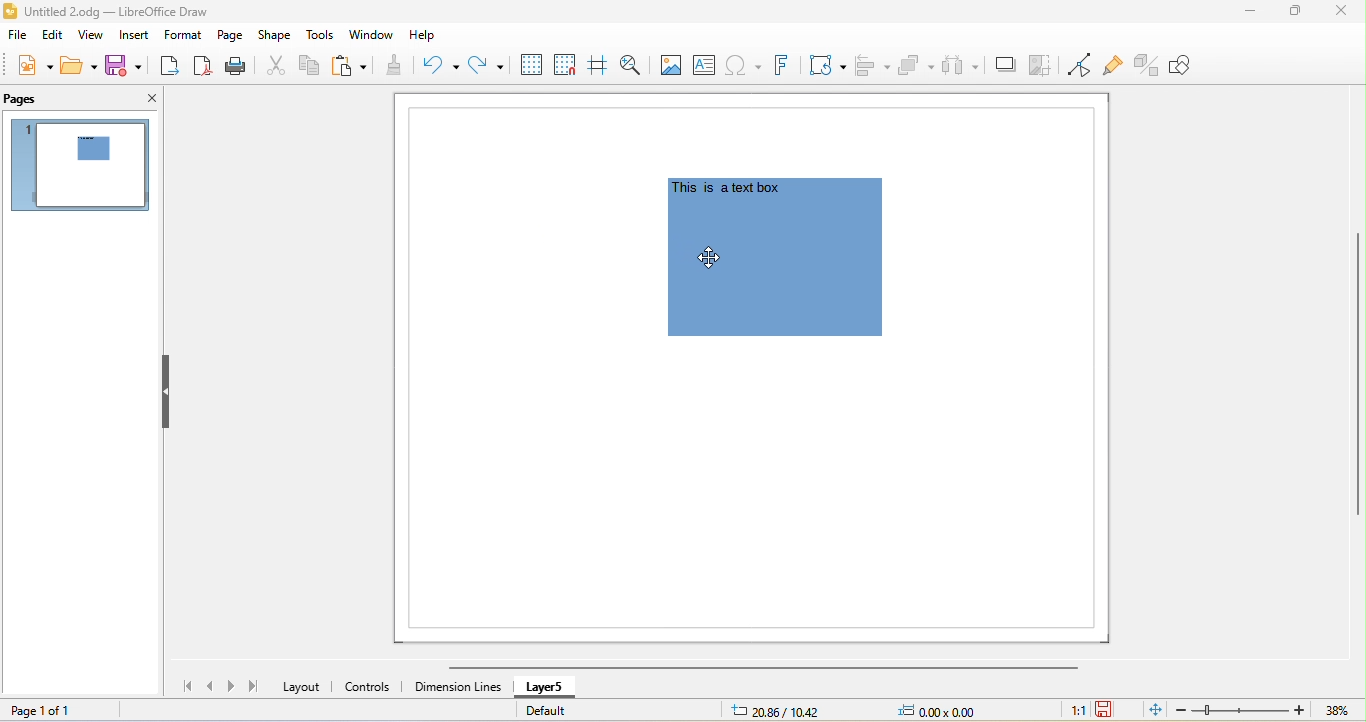  Describe the element at coordinates (376, 36) in the screenshot. I see `window` at that location.